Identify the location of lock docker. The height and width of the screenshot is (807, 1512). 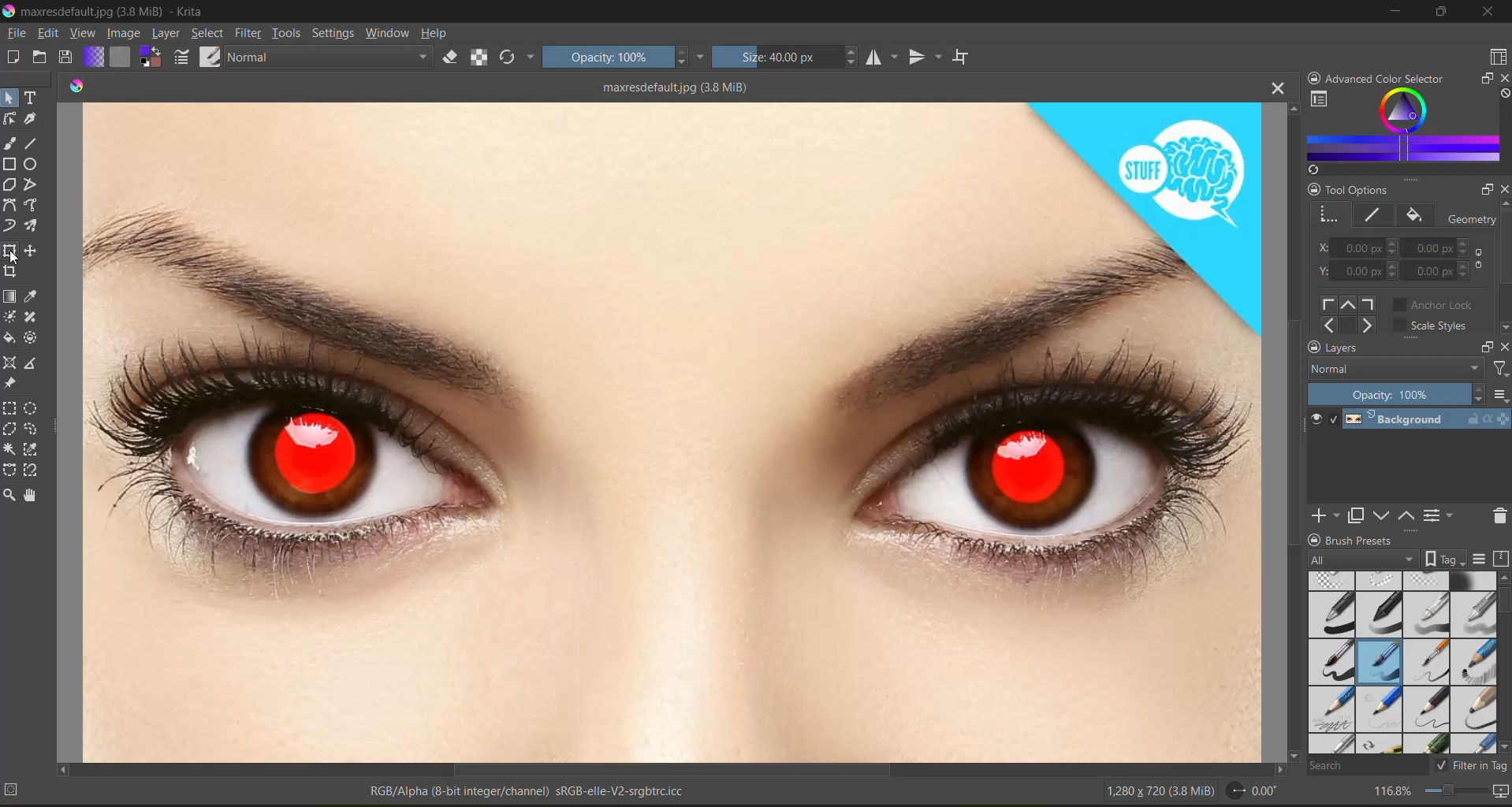
(1316, 79).